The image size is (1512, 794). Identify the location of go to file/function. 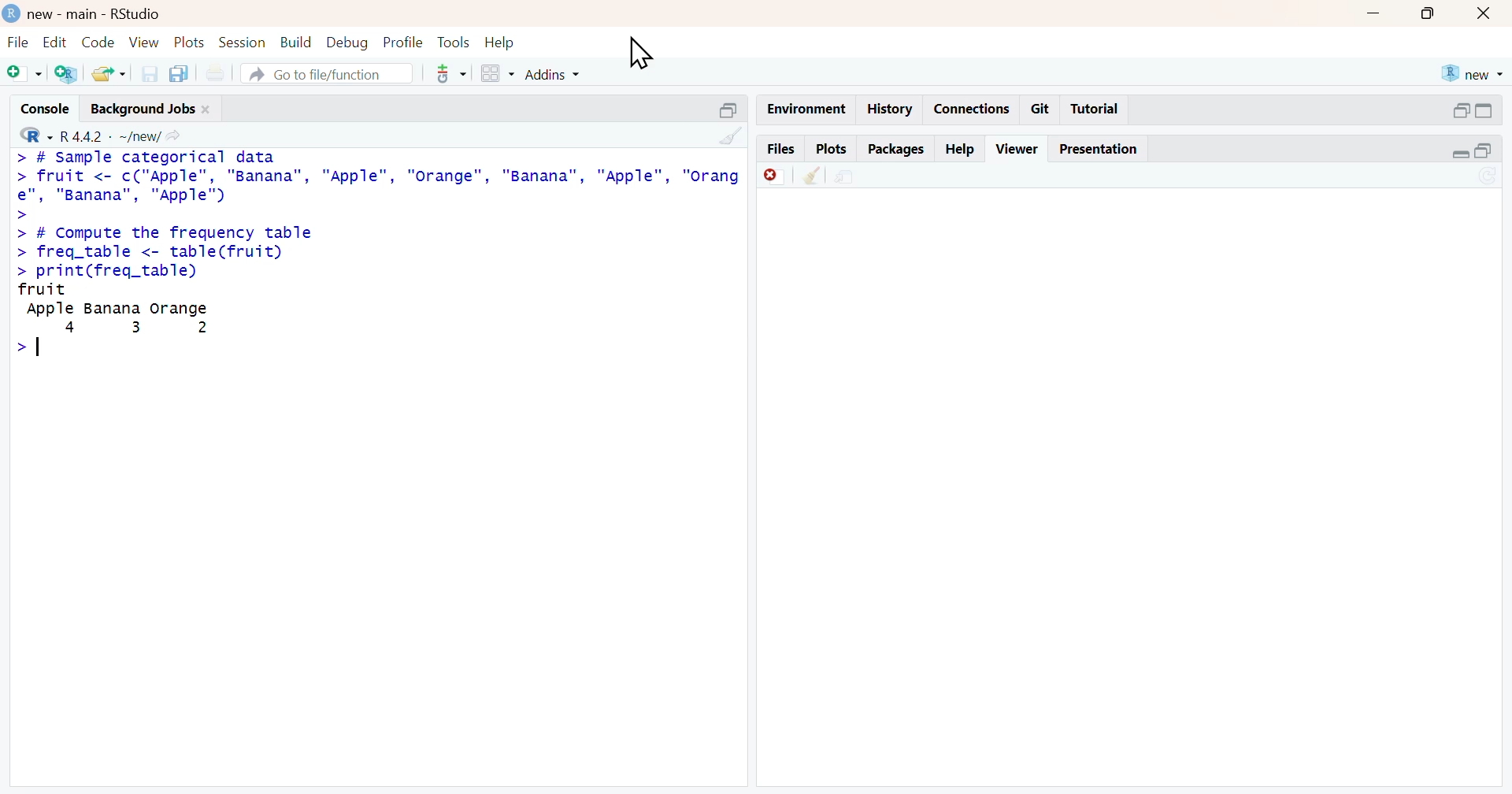
(327, 74).